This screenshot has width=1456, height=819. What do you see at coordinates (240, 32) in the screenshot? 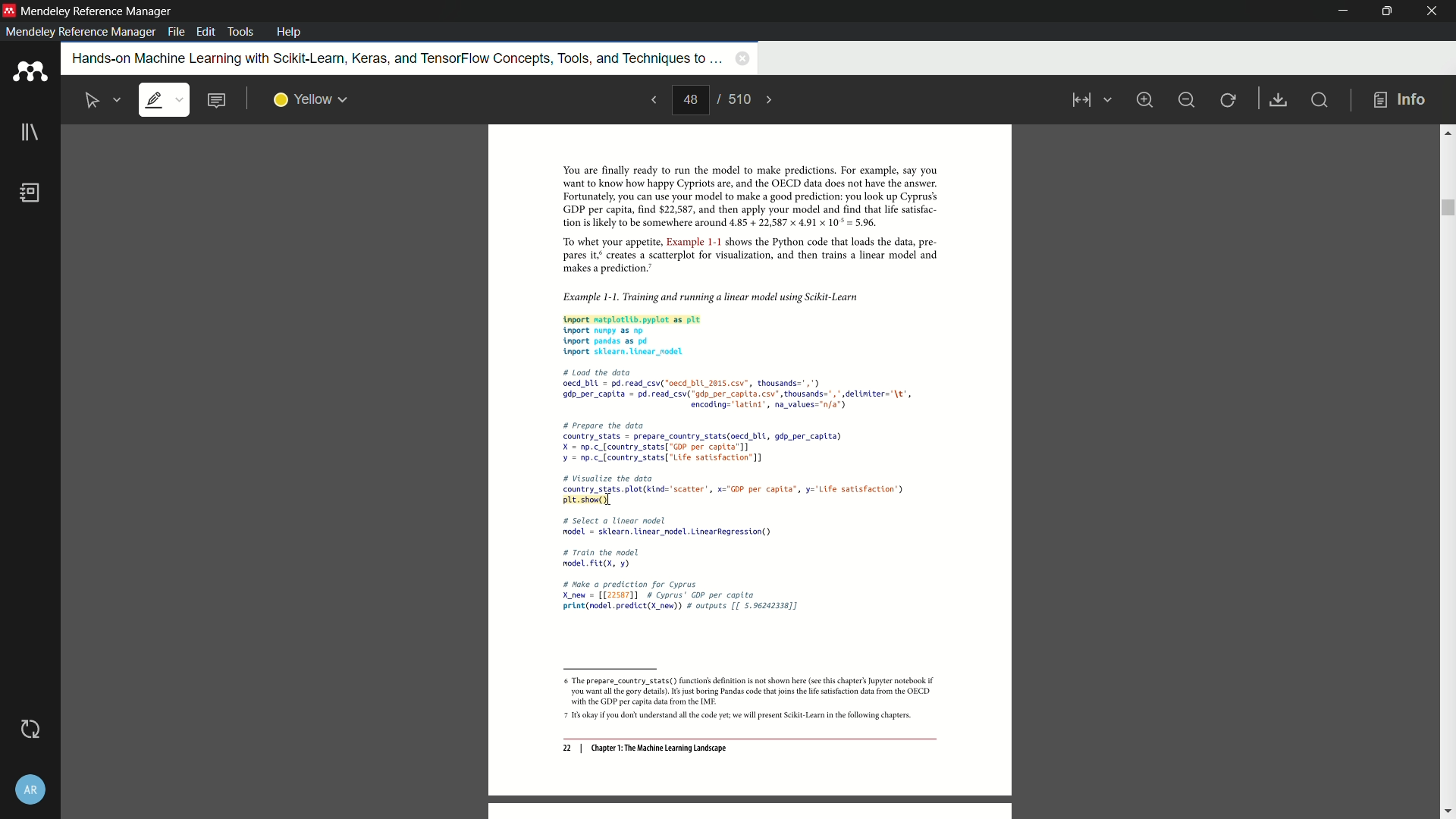
I see `tools menu` at bounding box center [240, 32].